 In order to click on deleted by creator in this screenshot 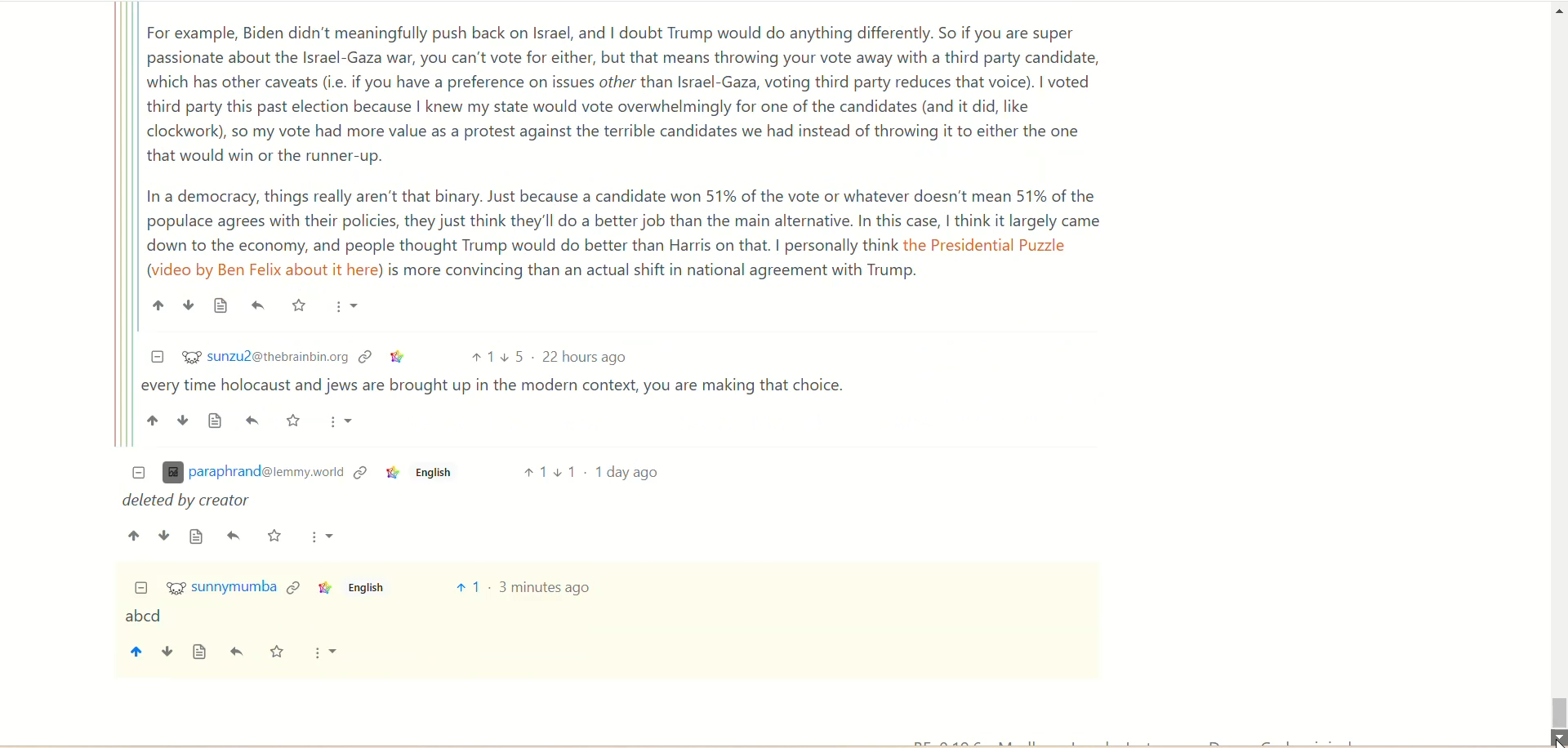, I will do `click(185, 500)`.